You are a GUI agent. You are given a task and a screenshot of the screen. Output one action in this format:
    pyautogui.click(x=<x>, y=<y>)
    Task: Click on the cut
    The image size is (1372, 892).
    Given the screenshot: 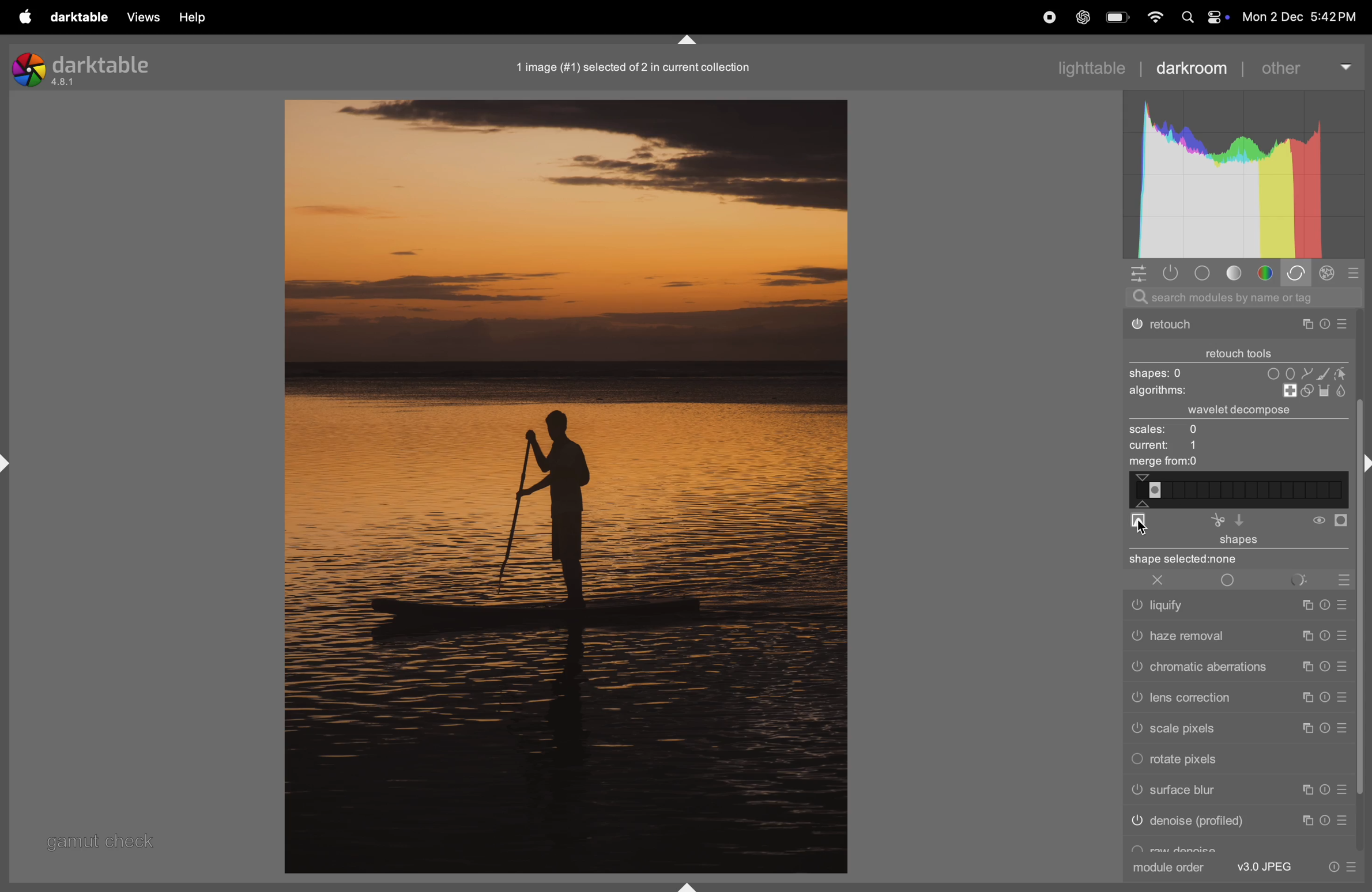 What is the action you would take?
    pyautogui.click(x=1245, y=520)
    